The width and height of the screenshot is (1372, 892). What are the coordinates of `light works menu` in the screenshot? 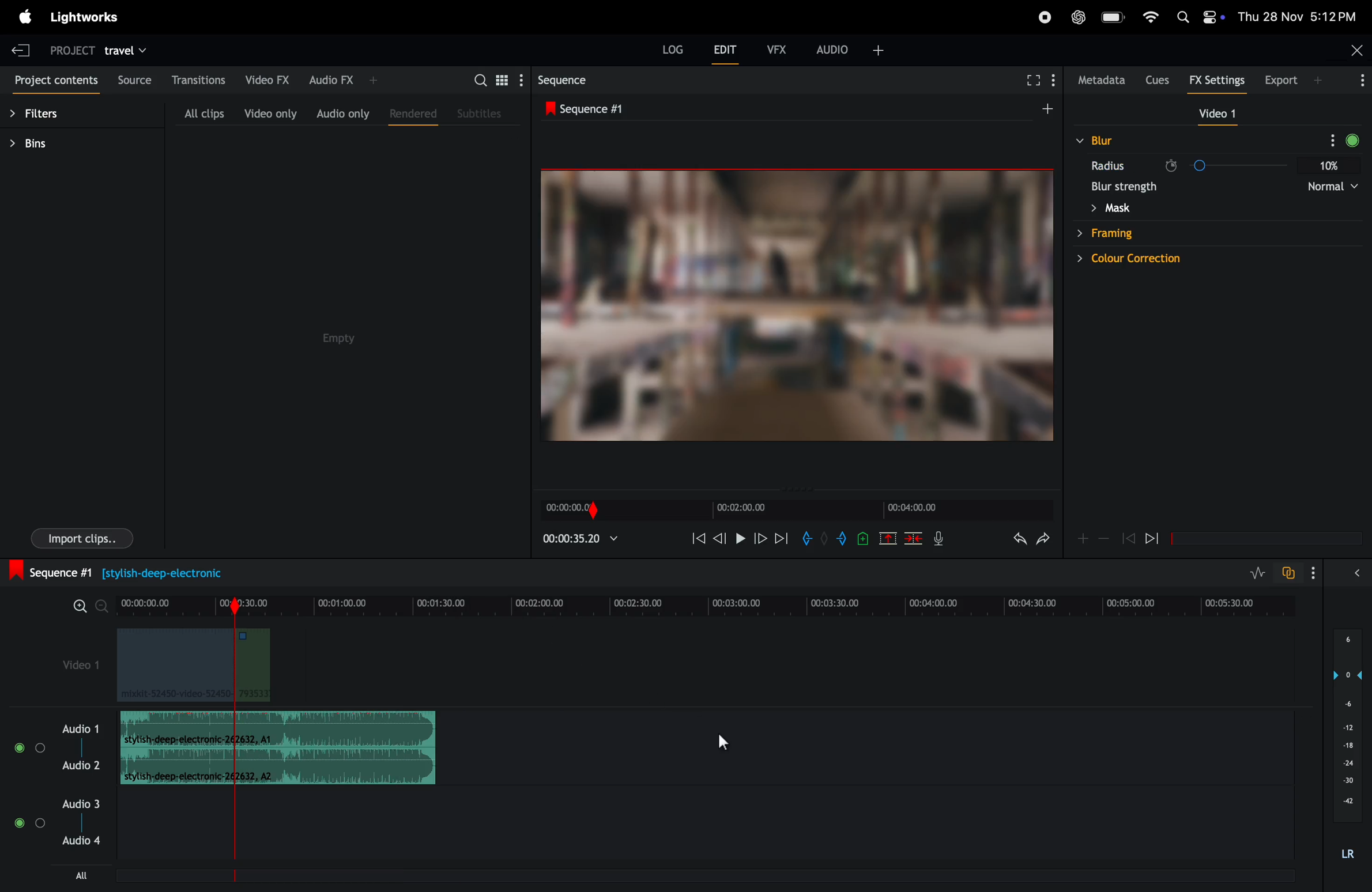 It's located at (84, 16).